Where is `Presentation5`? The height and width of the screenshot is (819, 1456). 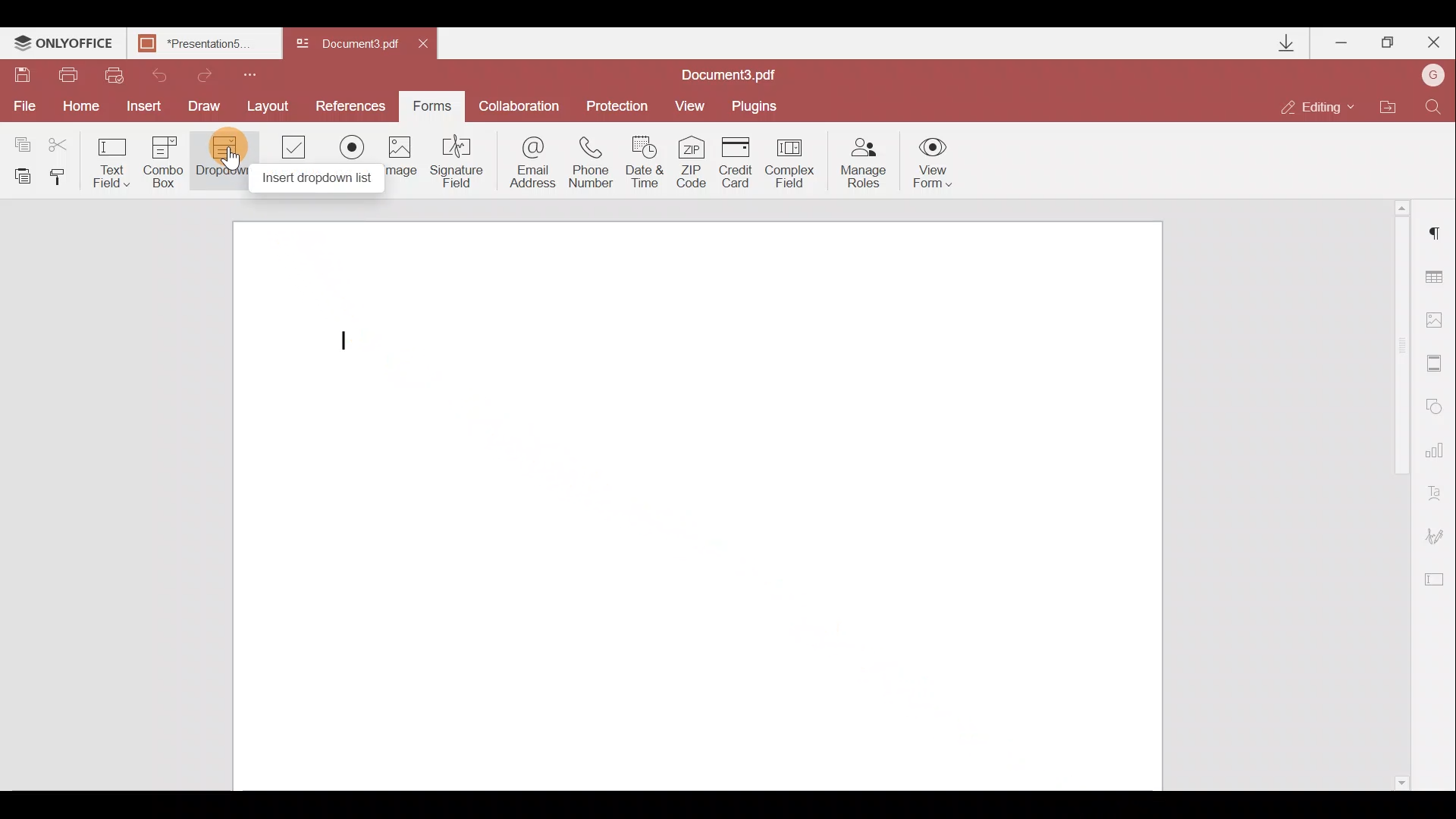
Presentation5 is located at coordinates (201, 45).